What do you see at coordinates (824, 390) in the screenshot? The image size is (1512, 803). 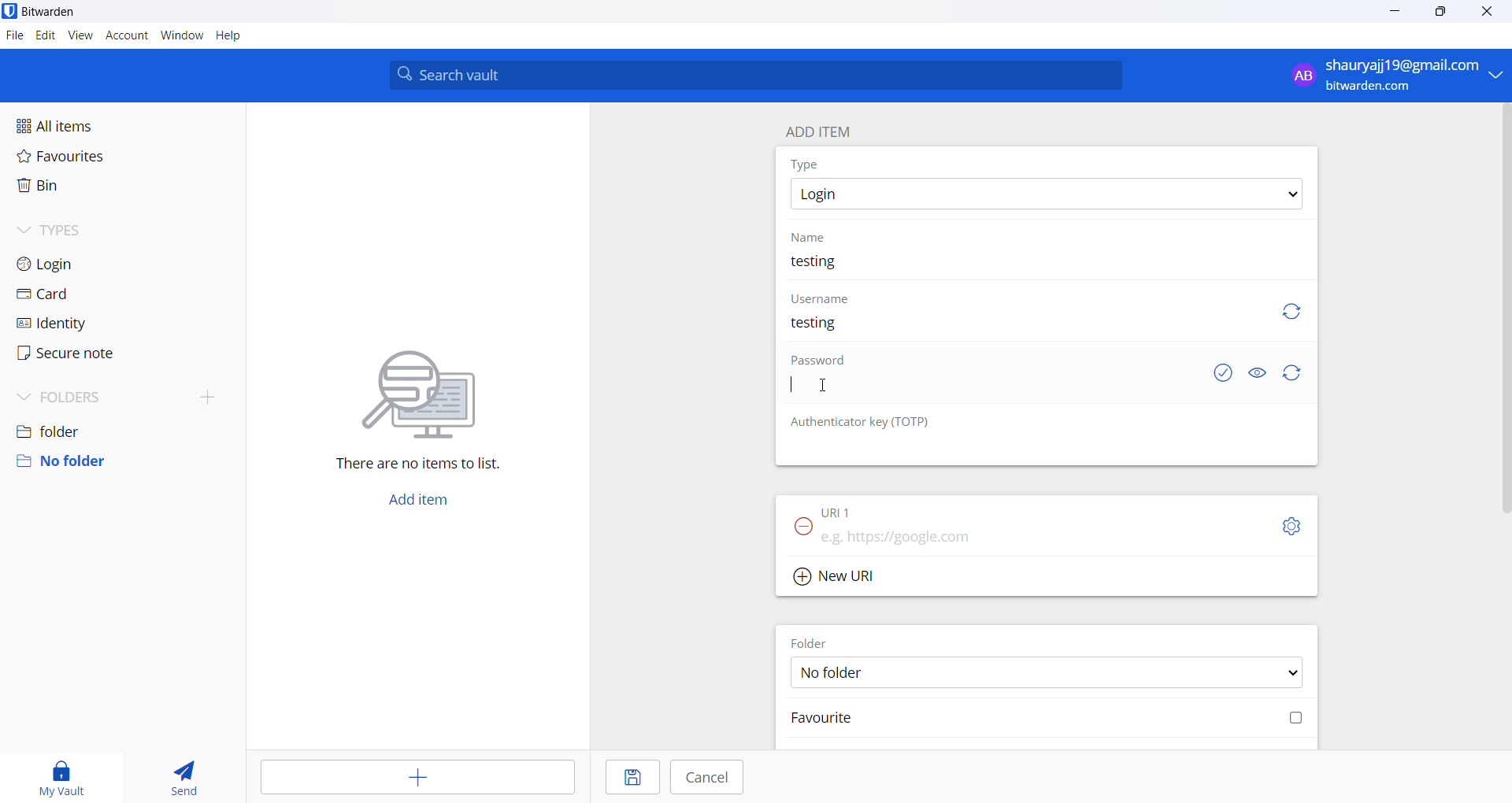 I see `cursor` at bounding box center [824, 390].